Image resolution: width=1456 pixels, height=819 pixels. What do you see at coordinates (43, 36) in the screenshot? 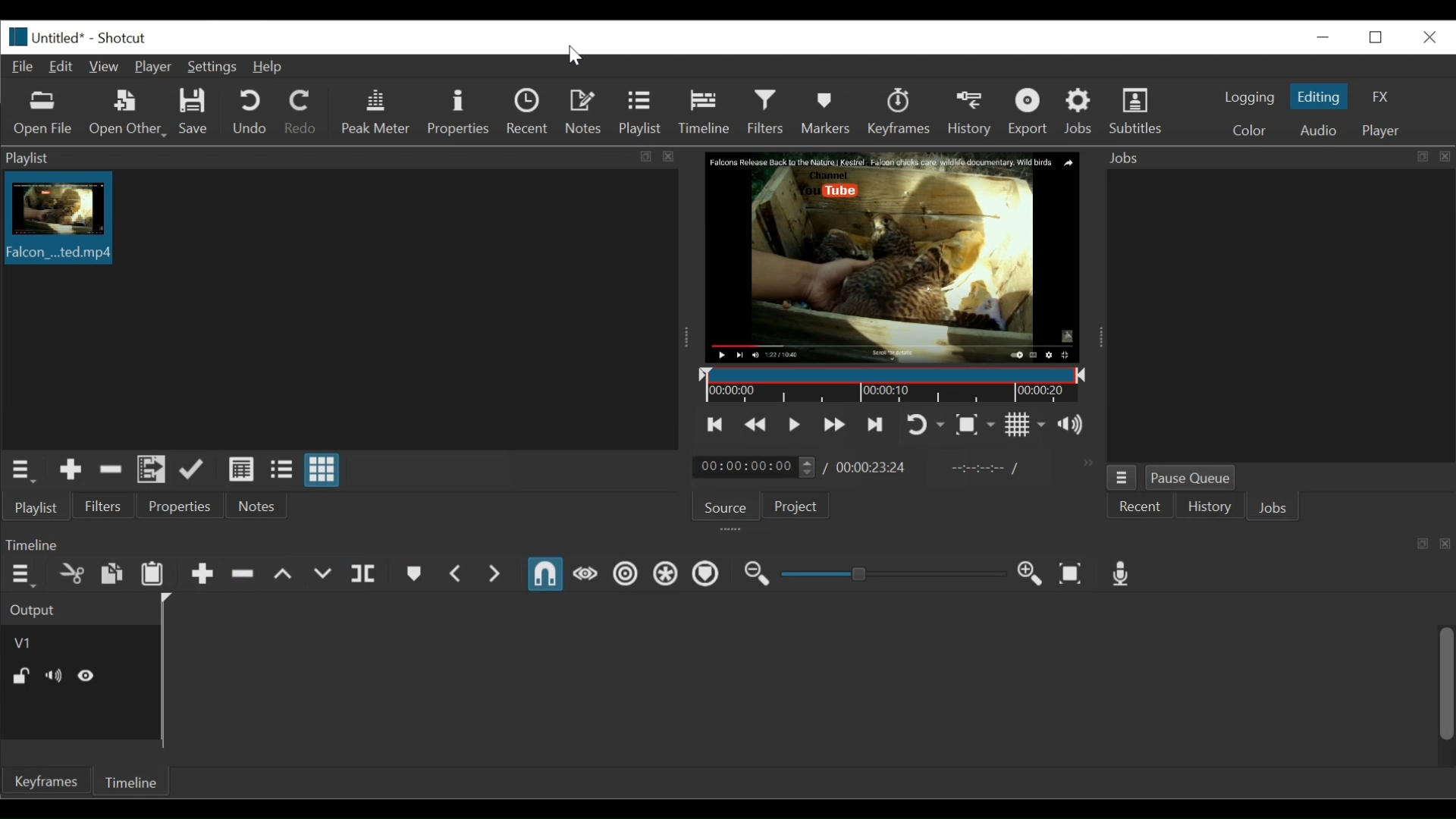
I see `Untitled` at bounding box center [43, 36].